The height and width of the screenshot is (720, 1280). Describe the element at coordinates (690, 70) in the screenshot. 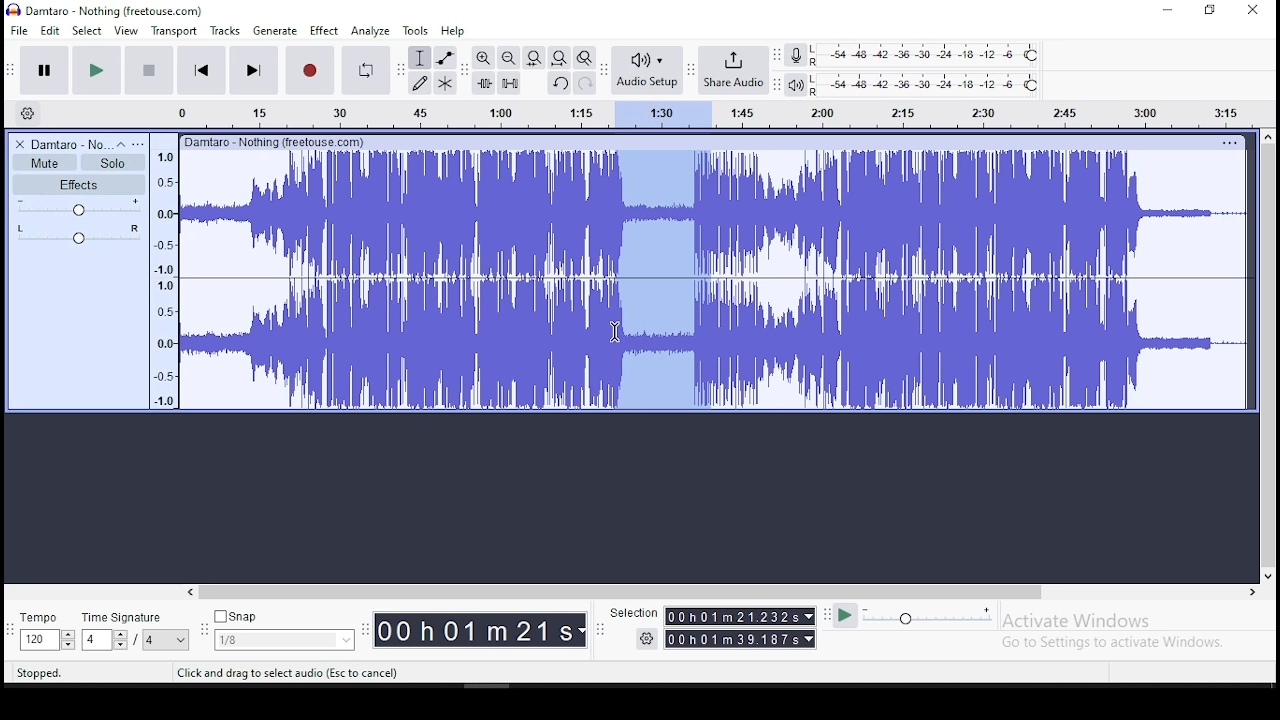

I see `` at that location.